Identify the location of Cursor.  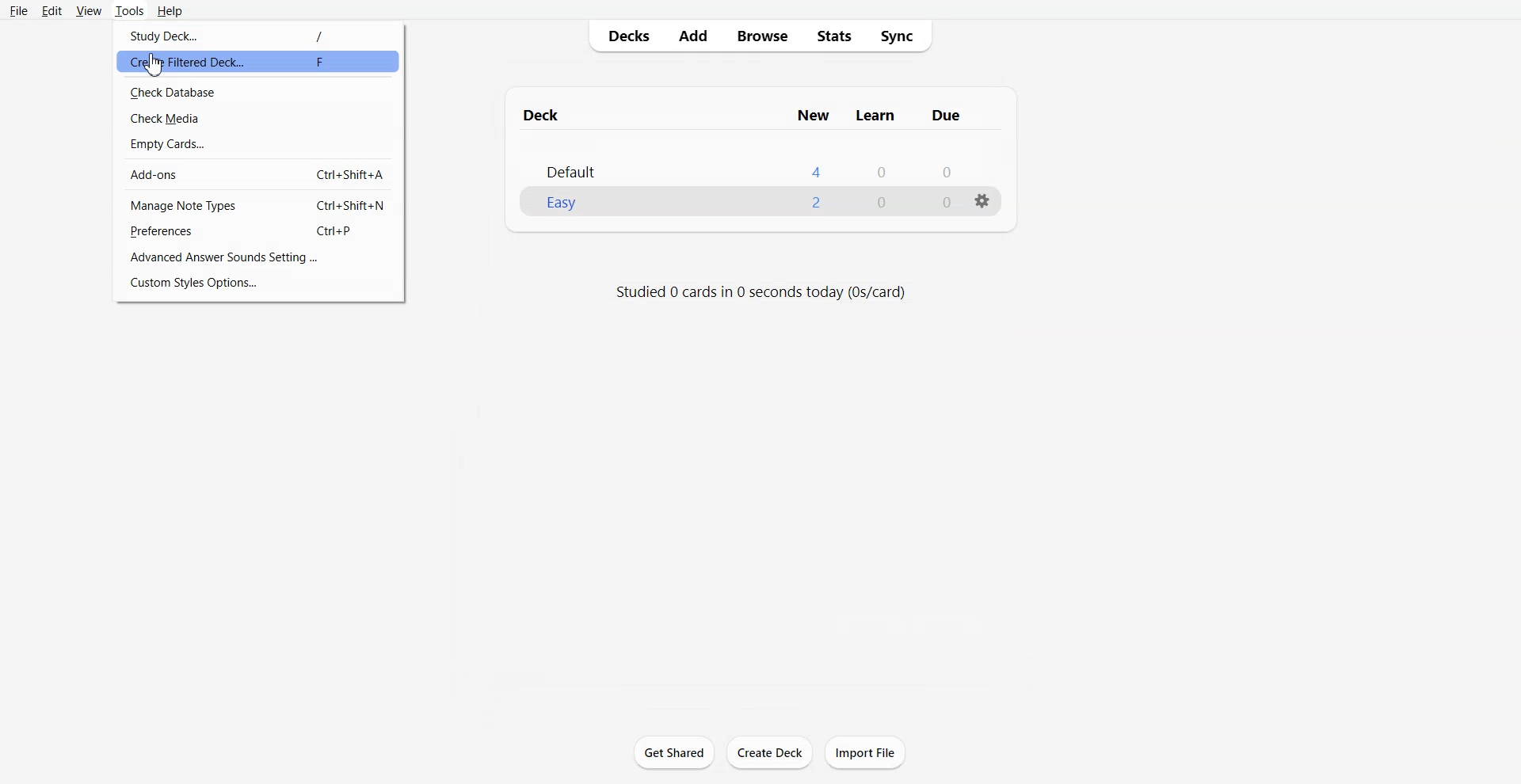
(156, 67).